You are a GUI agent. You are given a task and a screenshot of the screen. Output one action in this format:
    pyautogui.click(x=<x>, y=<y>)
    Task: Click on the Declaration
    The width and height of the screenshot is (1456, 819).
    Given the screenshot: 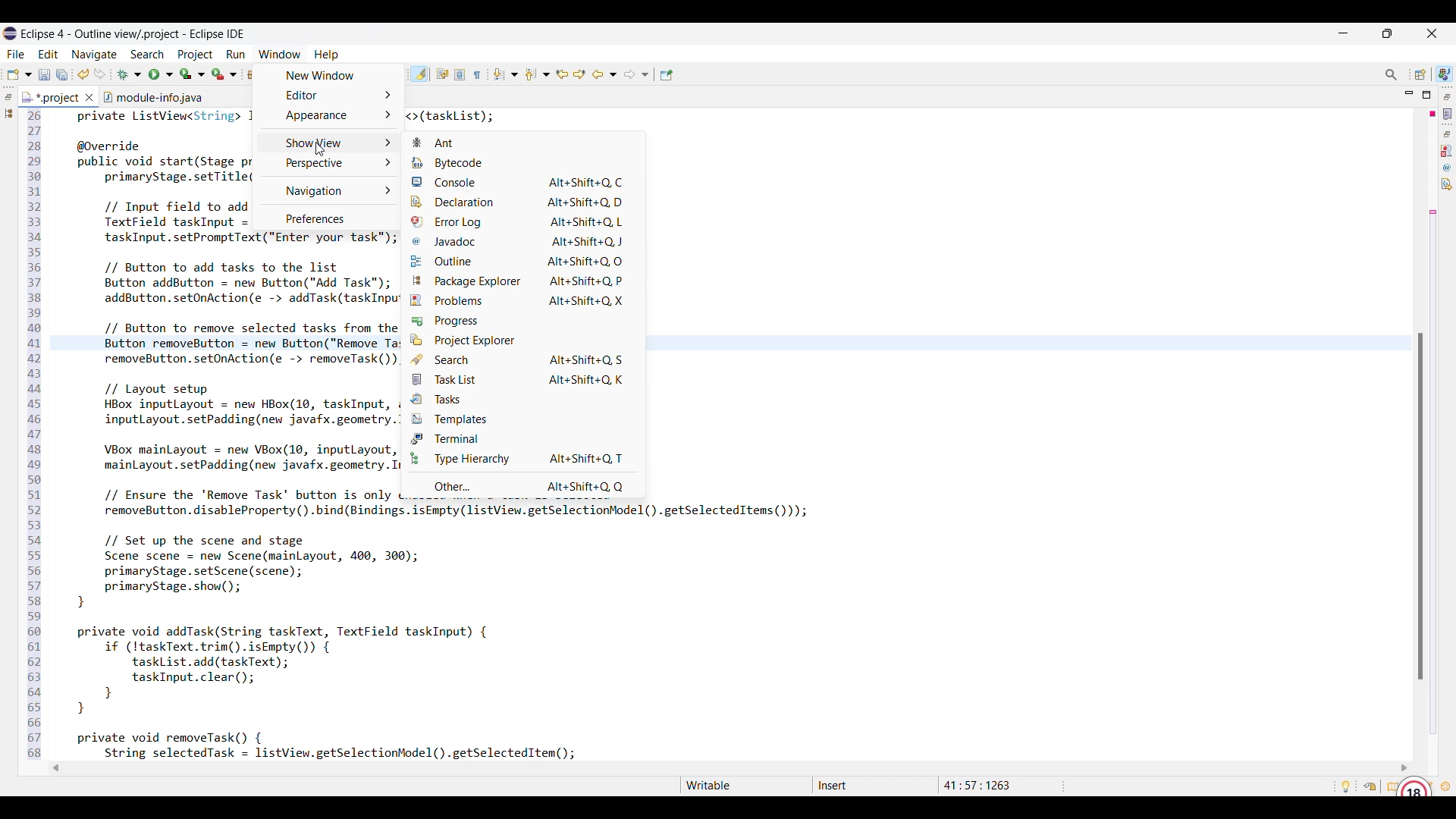 What is the action you would take?
    pyautogui.click(x=1447, y=184)
    